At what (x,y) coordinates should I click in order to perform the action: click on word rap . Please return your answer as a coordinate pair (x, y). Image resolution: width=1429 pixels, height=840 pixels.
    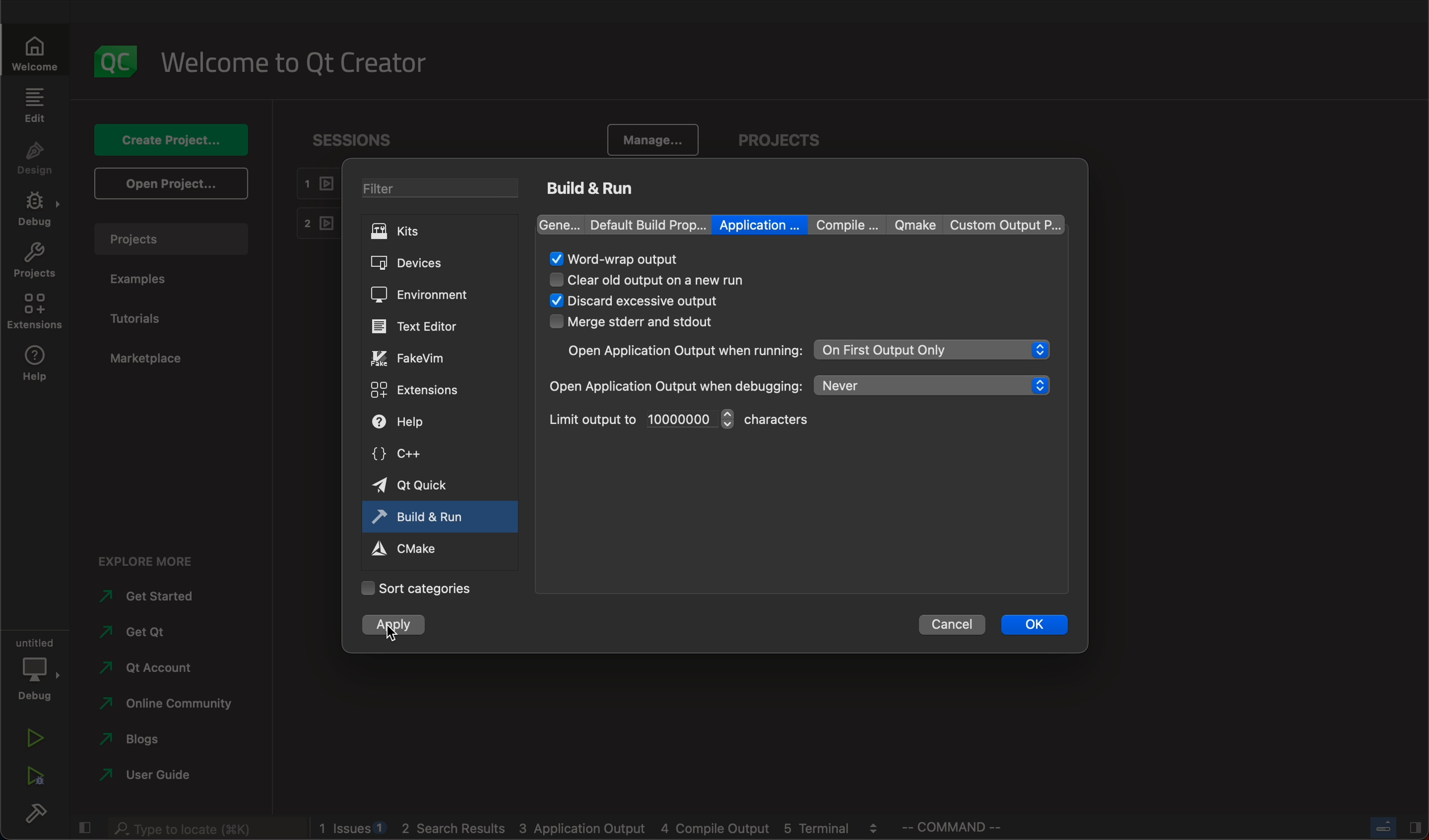
    Looking at the image, I should click on (619, 259).